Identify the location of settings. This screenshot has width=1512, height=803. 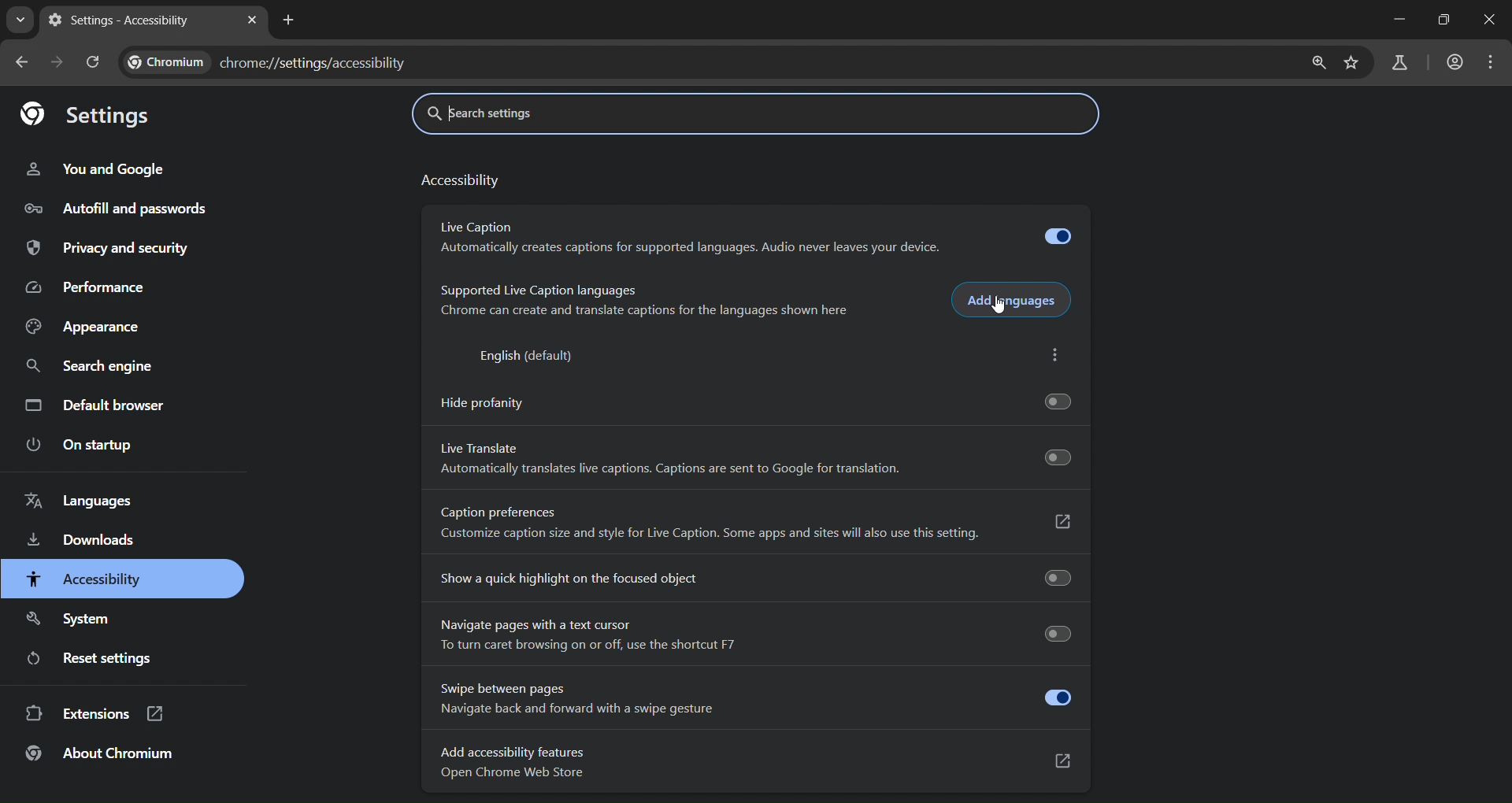
(95, 115).